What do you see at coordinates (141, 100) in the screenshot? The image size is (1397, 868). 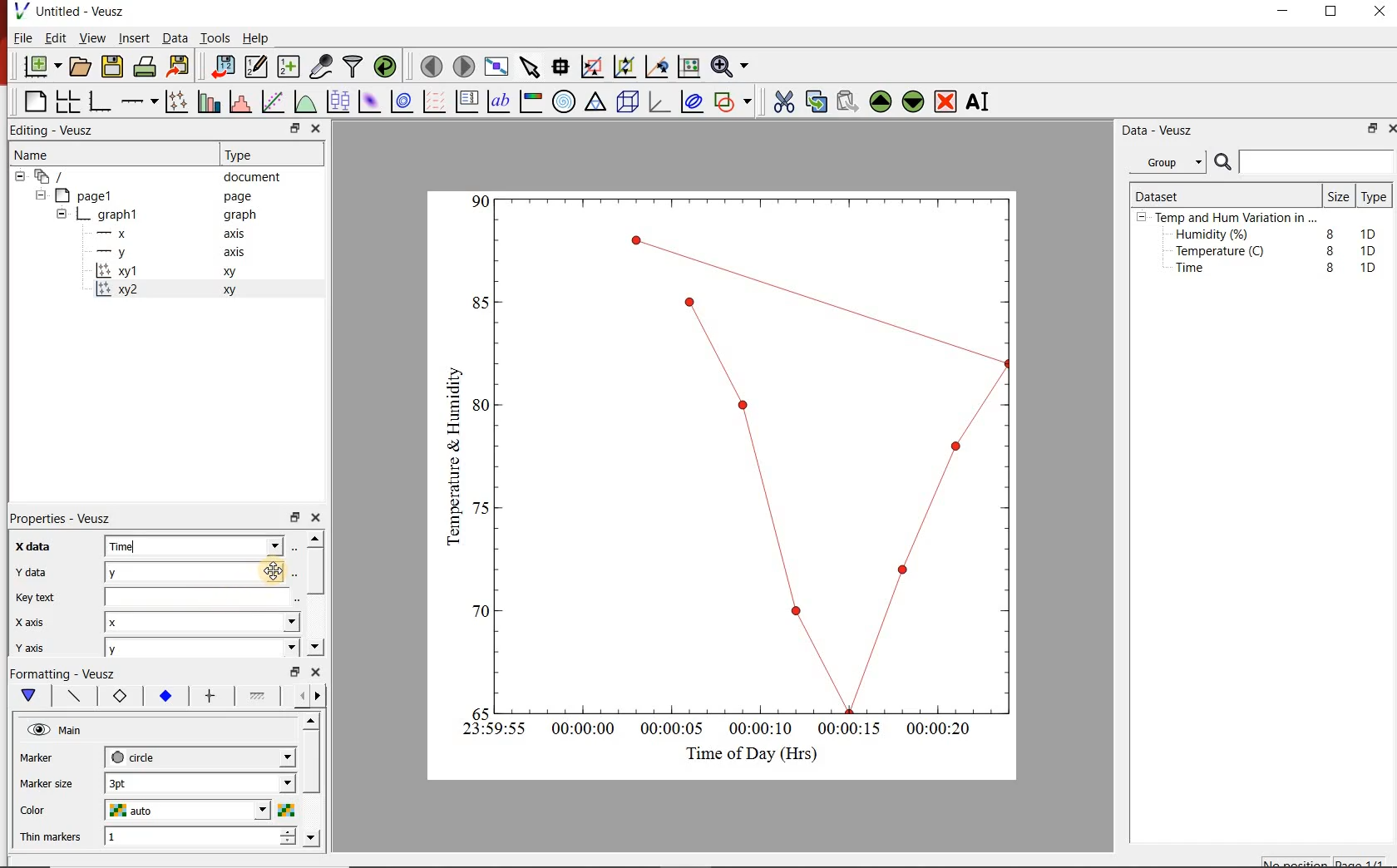 I see `add an axis to a plot` at bounding box center [141, 100].